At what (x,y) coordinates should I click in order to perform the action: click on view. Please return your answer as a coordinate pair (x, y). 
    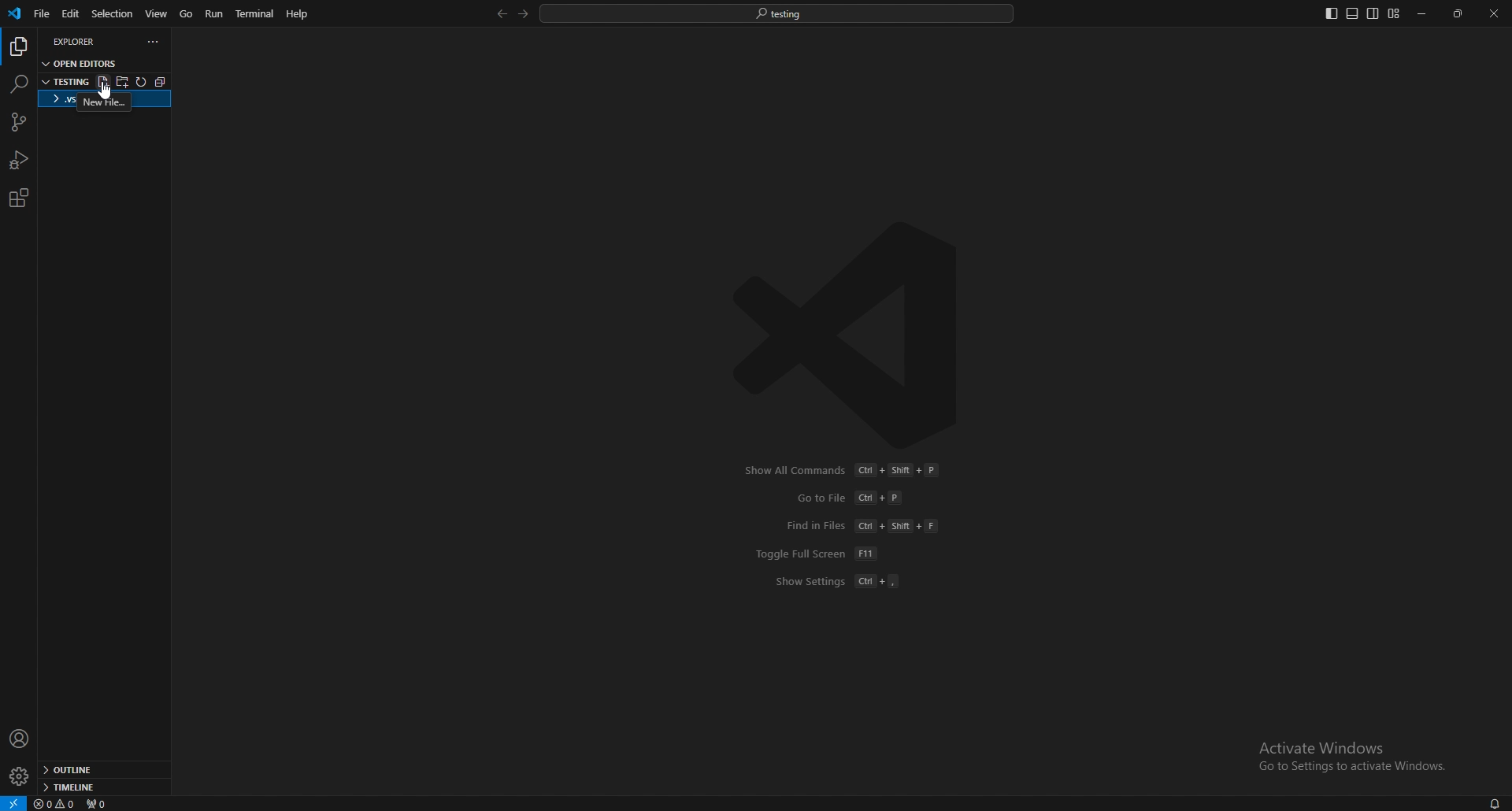
    Looking at the image, I should click on (157, 13).